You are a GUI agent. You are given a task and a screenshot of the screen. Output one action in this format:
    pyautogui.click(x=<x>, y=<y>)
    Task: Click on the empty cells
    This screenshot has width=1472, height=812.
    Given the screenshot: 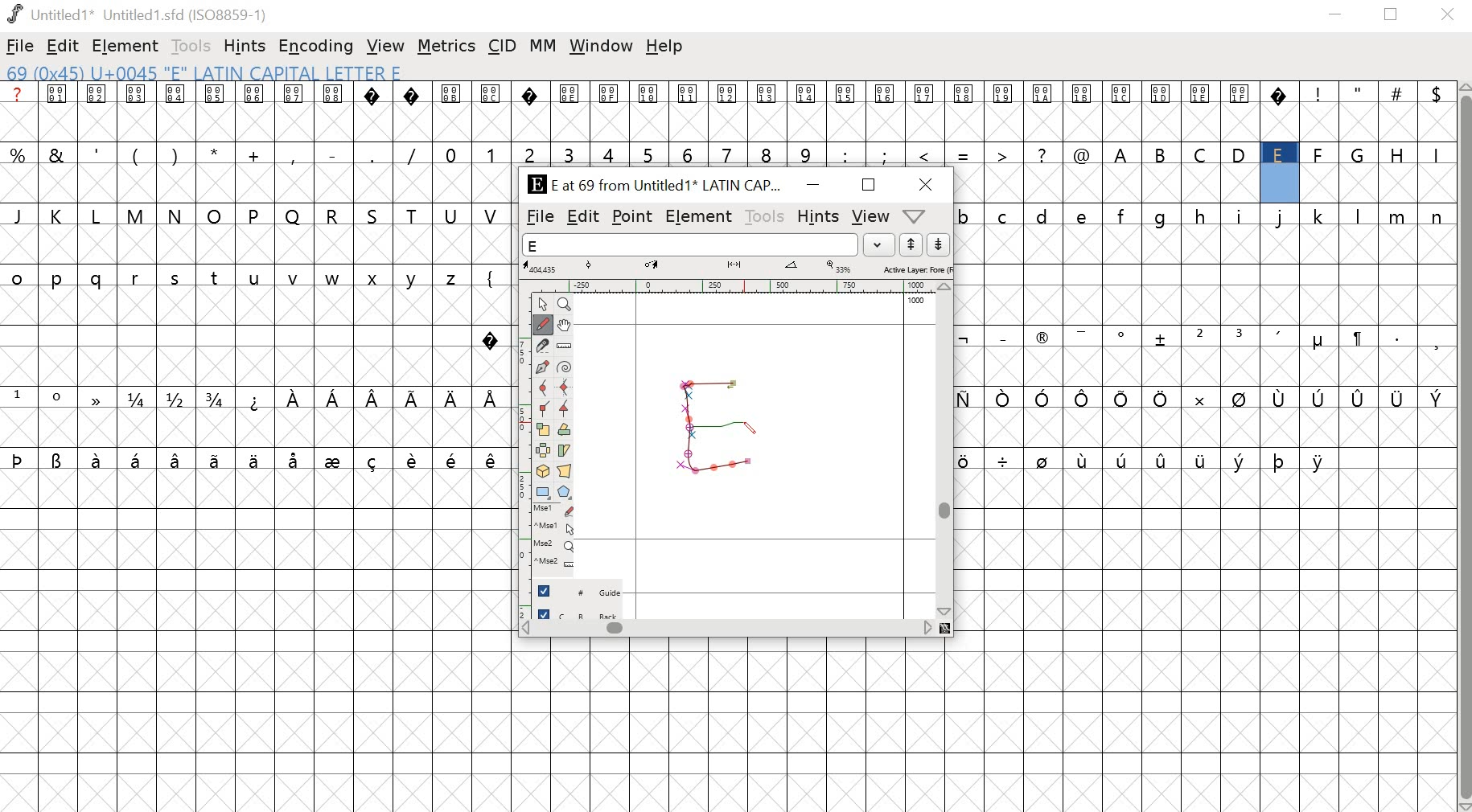 What is the action you would take?
    pyautogui.click(x=1207, y=367)
    